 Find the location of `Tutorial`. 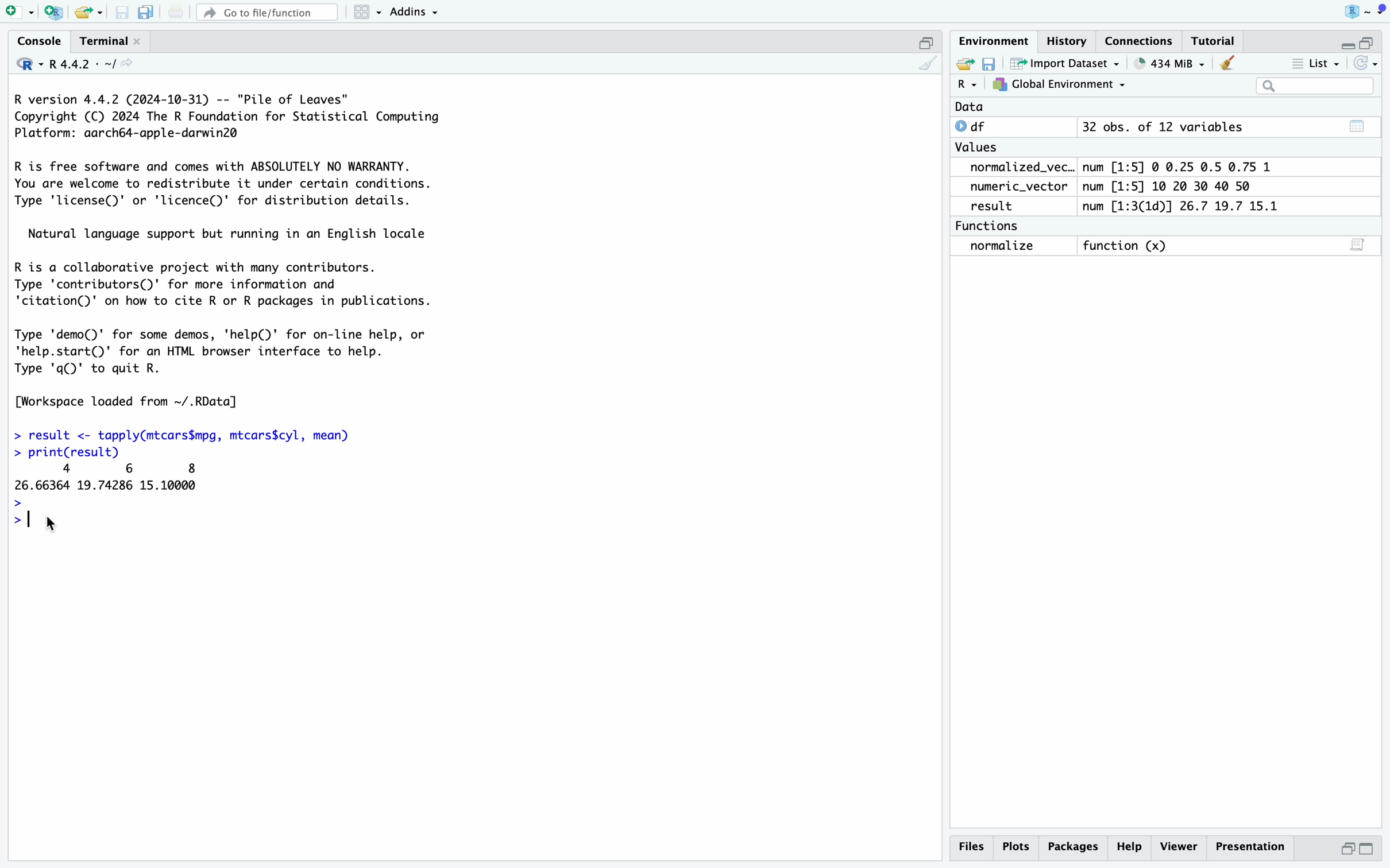

Tutorial is located at coordinates (1213, 41).